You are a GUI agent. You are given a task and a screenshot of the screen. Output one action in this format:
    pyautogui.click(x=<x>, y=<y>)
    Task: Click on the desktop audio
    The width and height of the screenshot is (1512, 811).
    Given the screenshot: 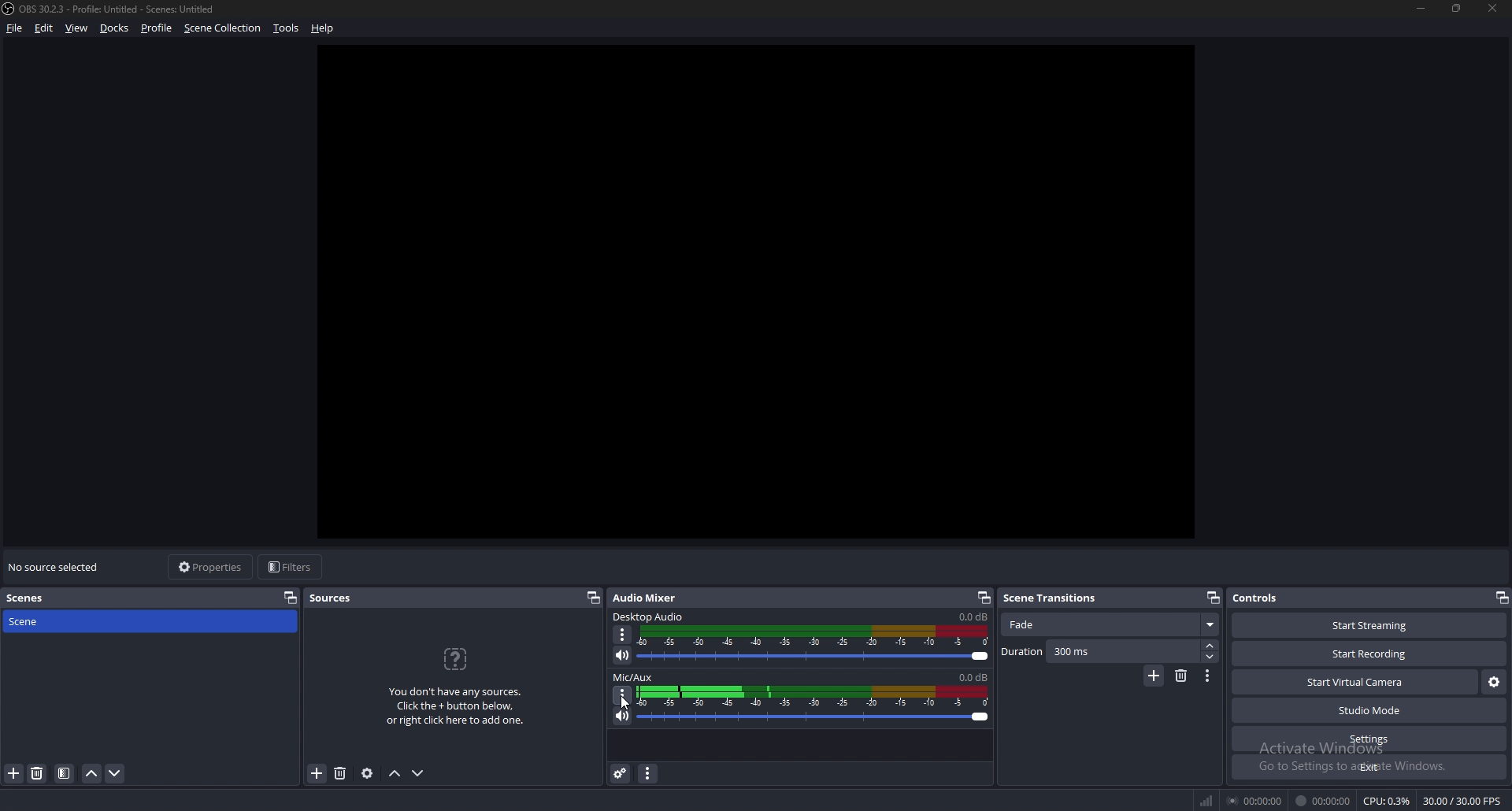 What is the action you would take?
    pyautogui.click(x=650, y=617)
    